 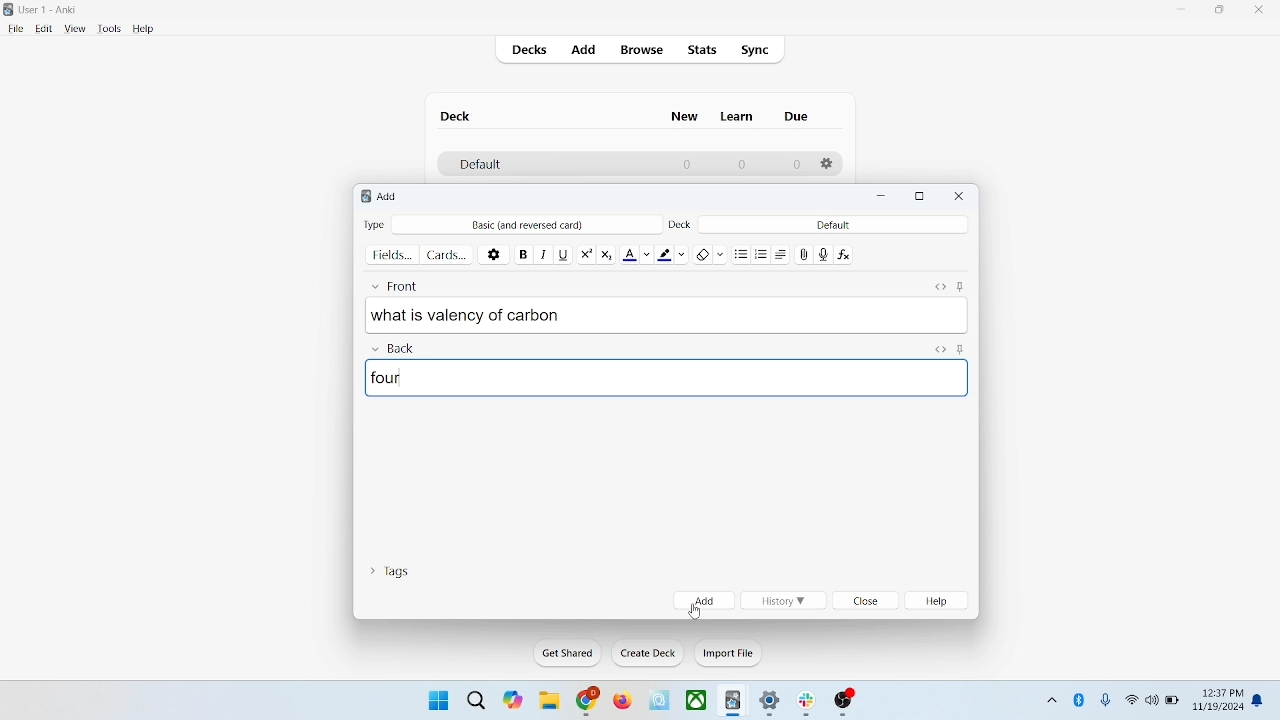 What do you see at coordinates (399, 283) in the screenshot?
I see `front` at bounding box center [399, 283].